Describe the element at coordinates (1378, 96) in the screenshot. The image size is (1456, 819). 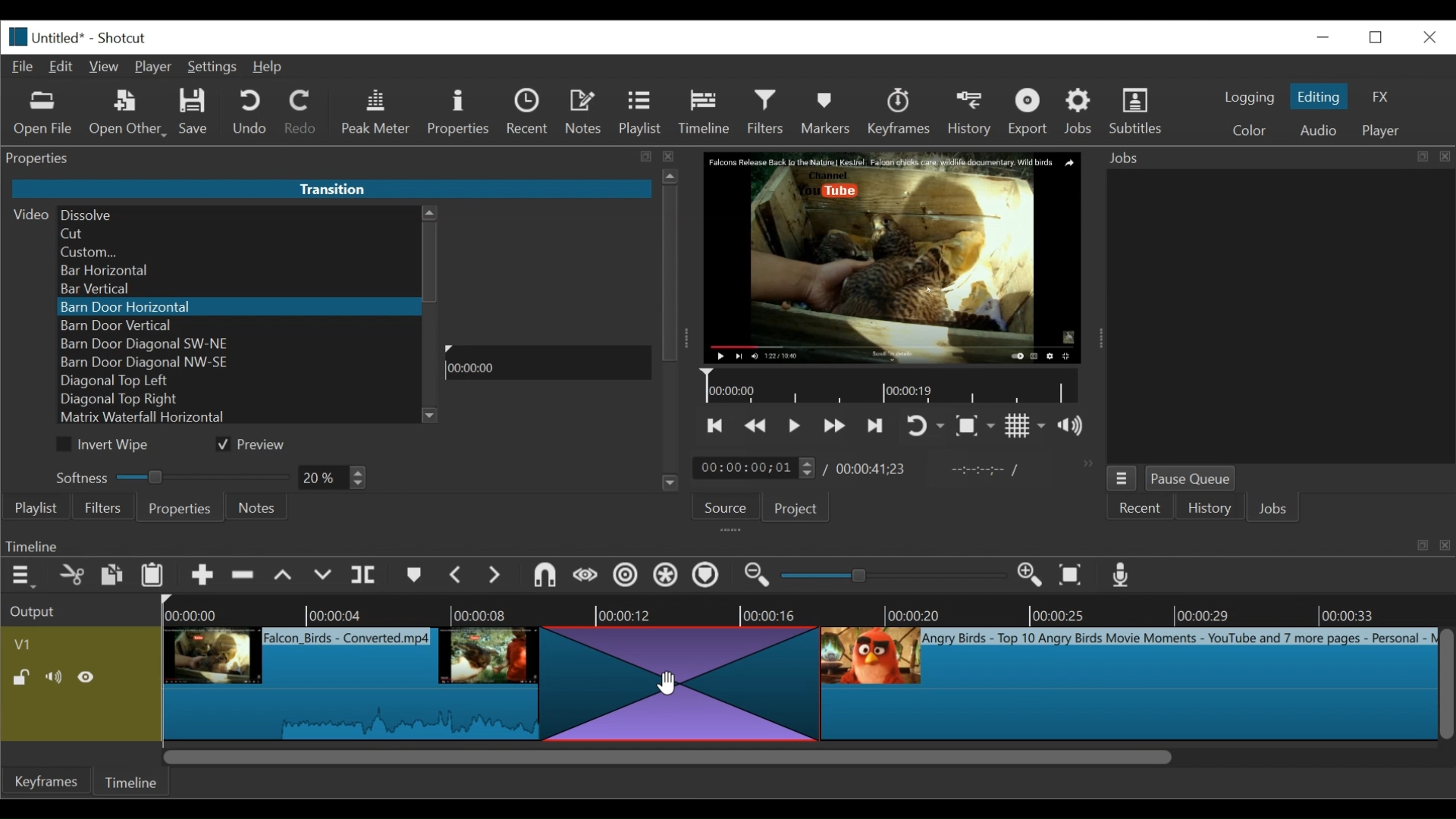
I see `FX` at that location.